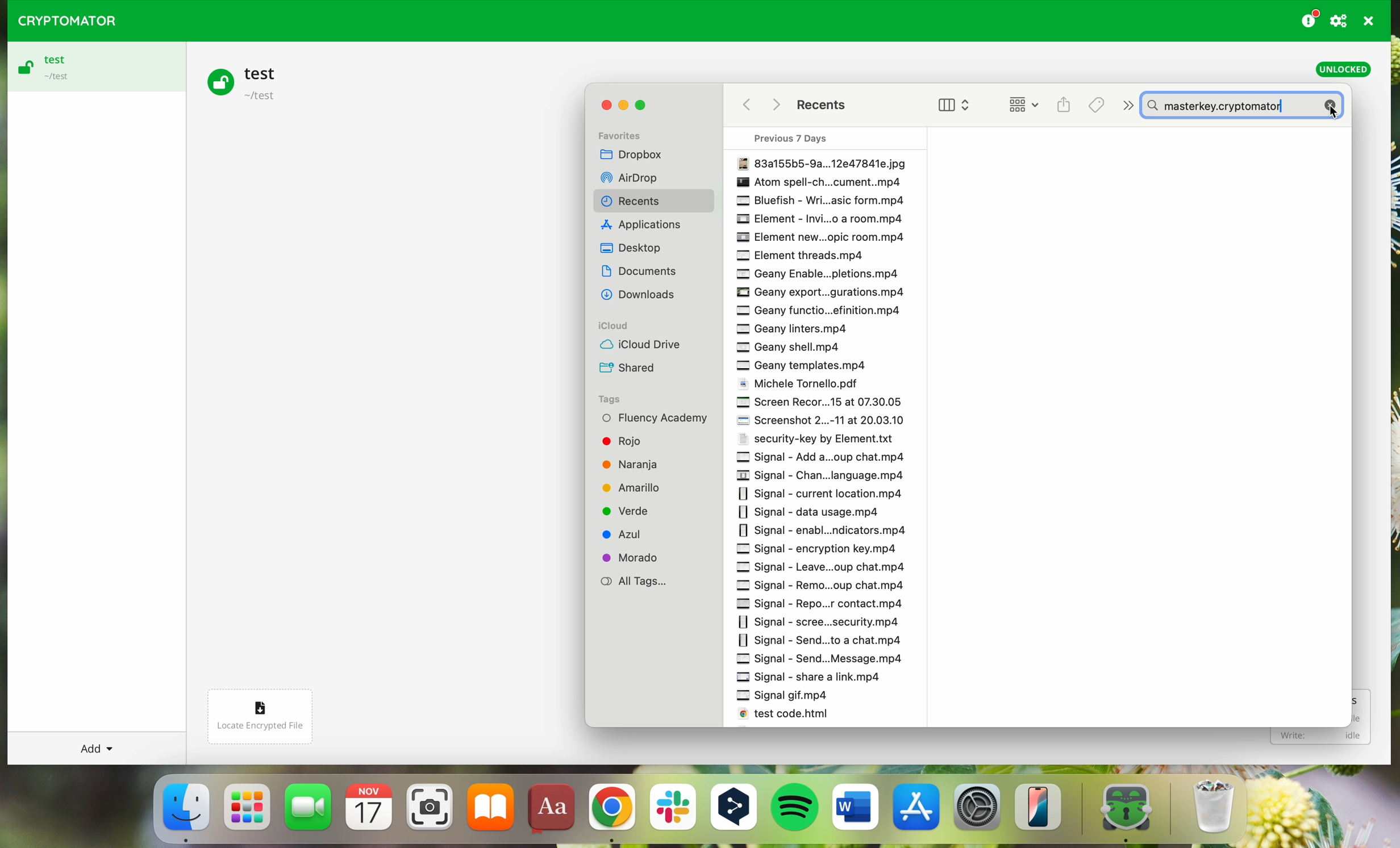  Describe the element at coordinates (831, 107) in the screenshot. I see `Recents` at that location.